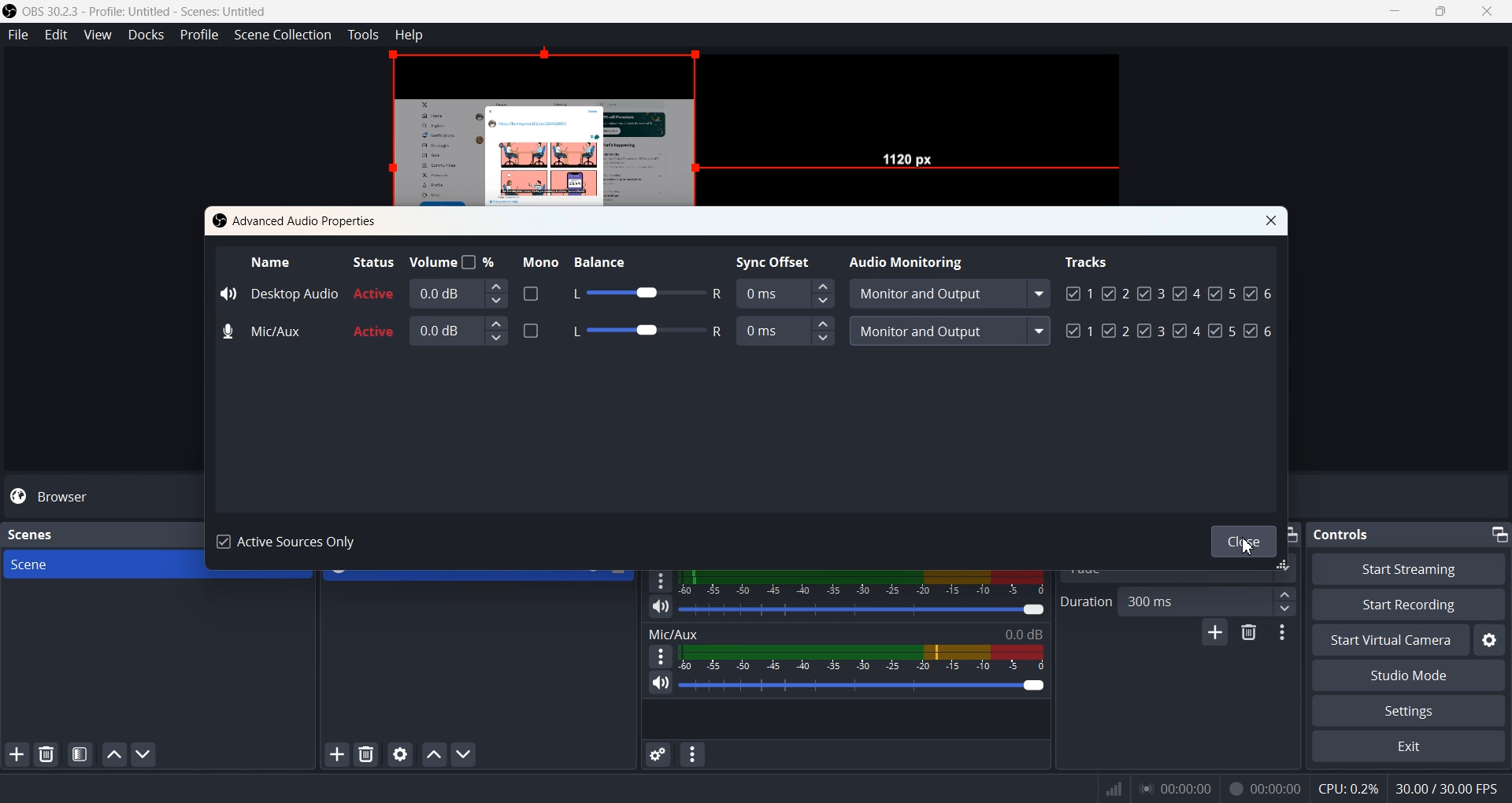 The width and height of the screenshot is (1512, 803). What do you see at coordinates (1109, 789) in the screenshot?
I see `Signals` at bounding box center [1109, 789].